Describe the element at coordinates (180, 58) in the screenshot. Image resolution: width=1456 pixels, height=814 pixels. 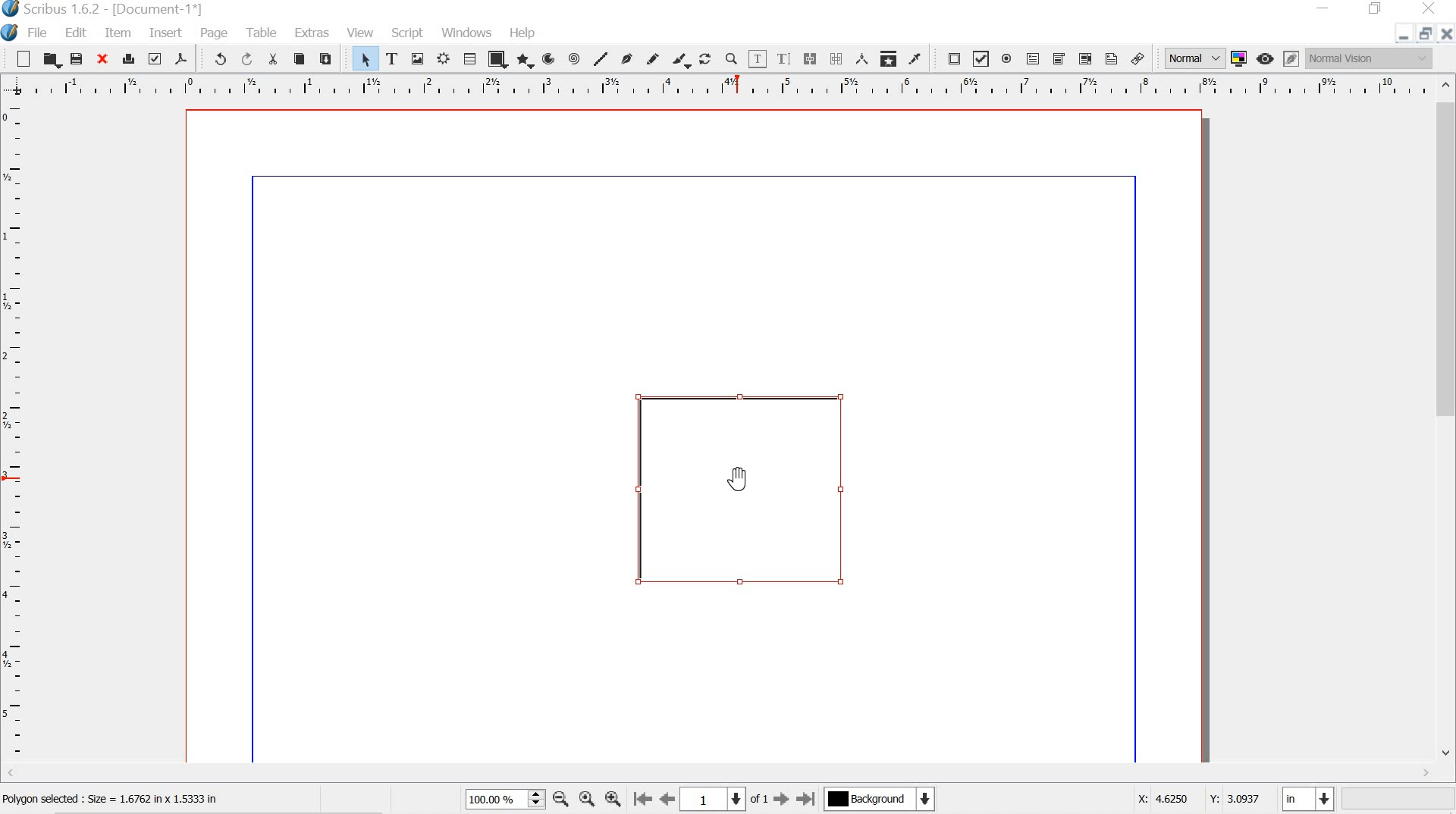
I see `save as pdf` at that location.